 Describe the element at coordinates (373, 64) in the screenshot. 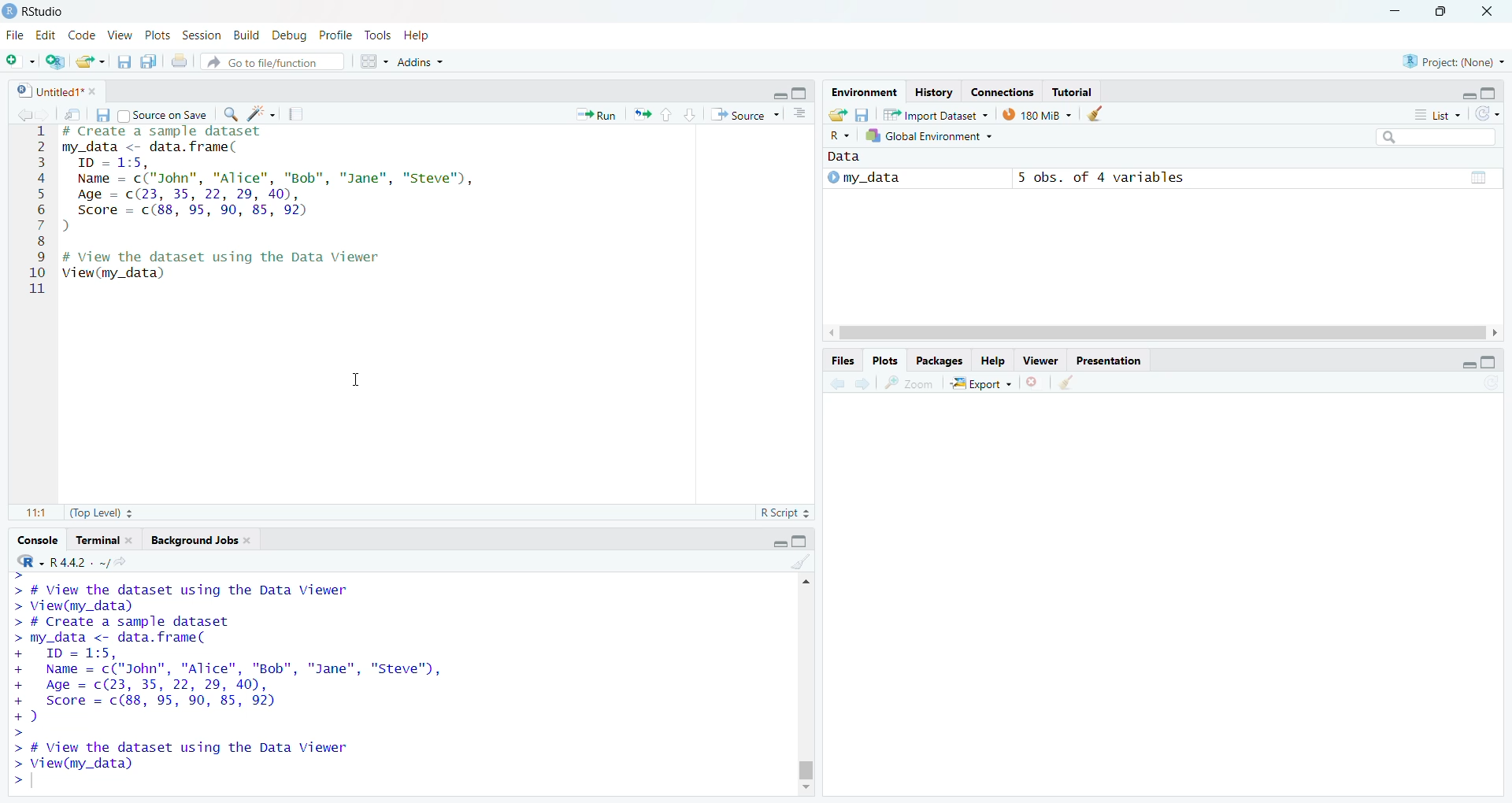

I see `workspaces pane` at that location.